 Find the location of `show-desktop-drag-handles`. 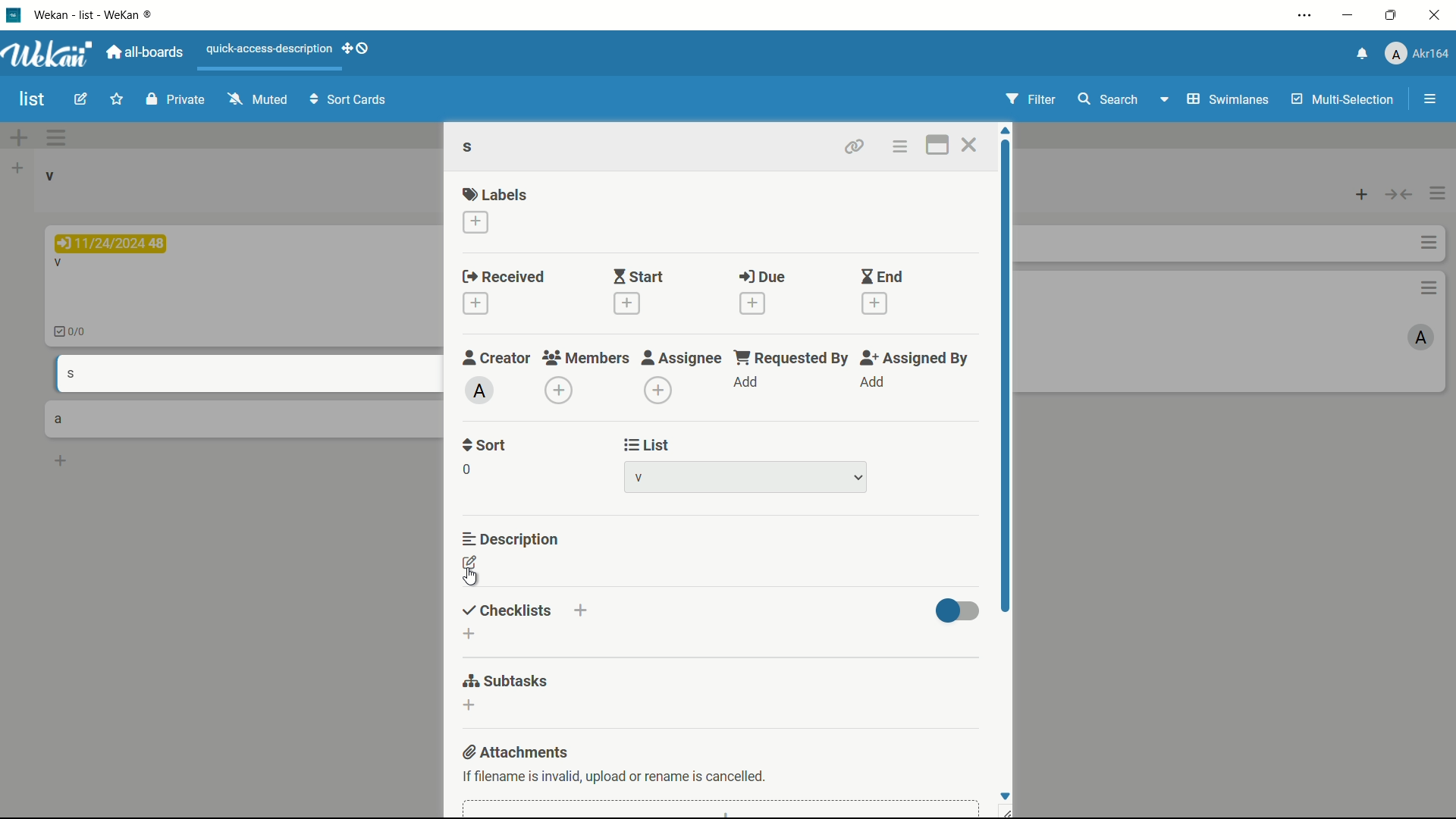

show-desktop-drag-handles is located at coordinates (357, 48).